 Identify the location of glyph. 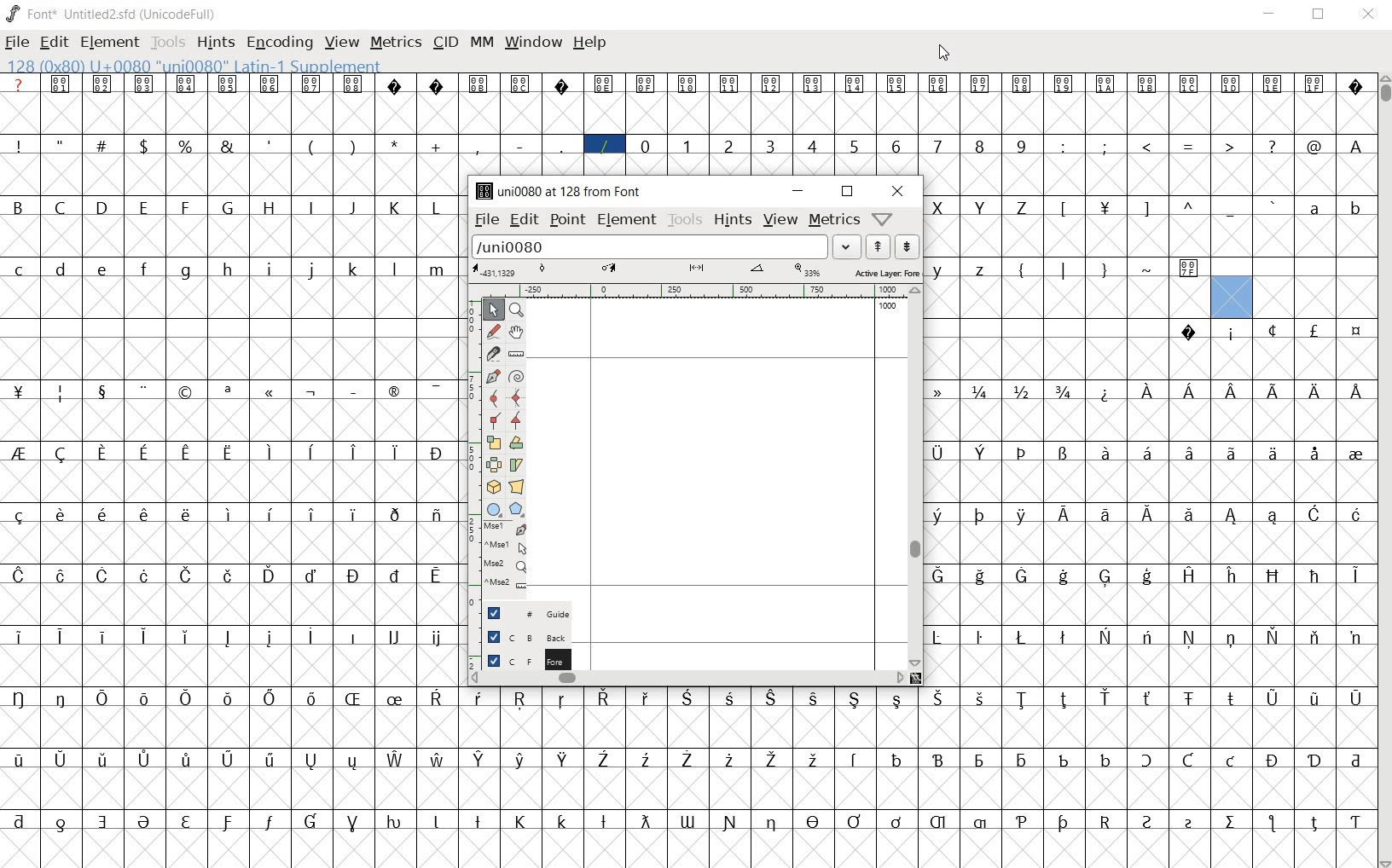
(1231, 639).